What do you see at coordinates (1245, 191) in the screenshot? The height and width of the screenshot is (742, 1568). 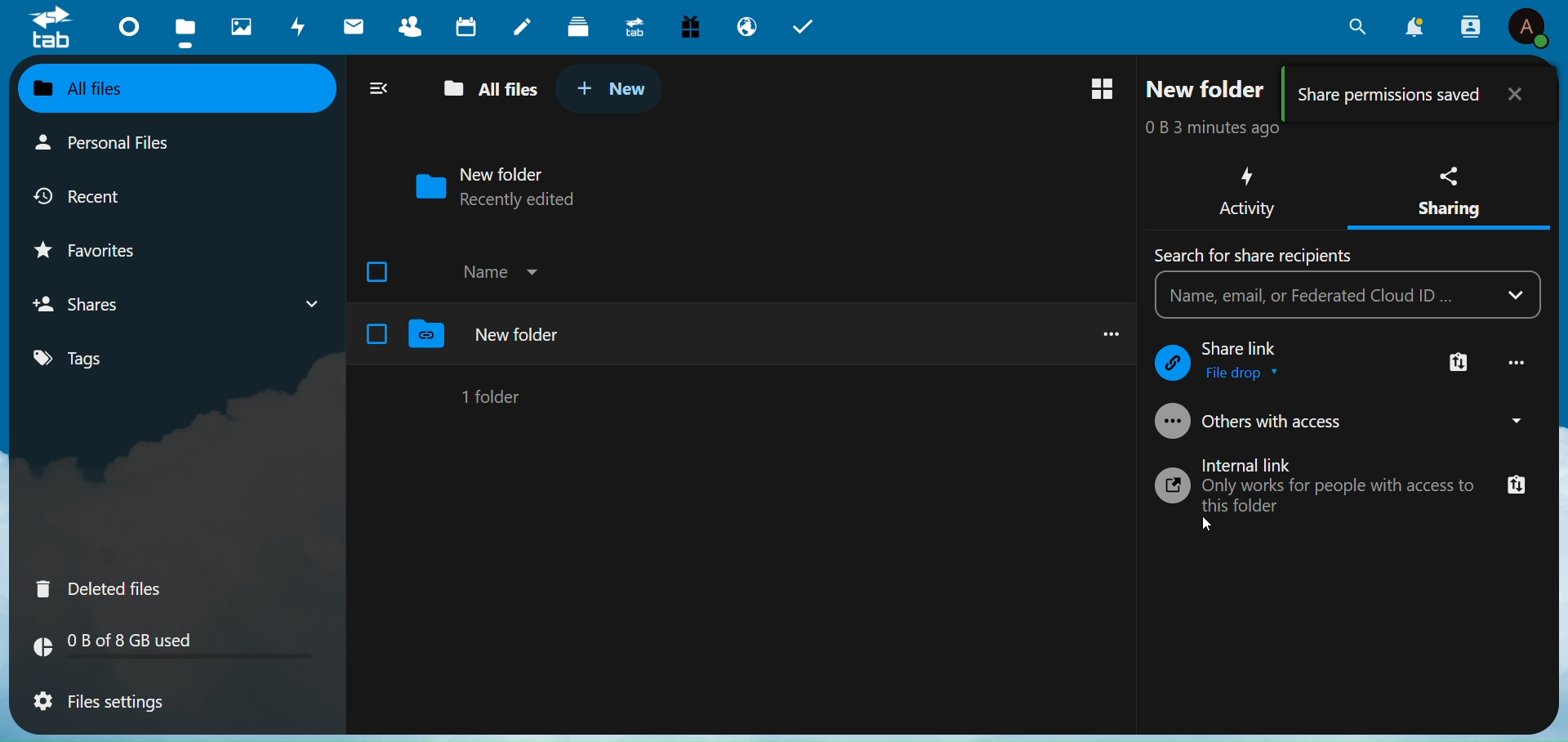 I see `Activity` at bounding box center [1245, 191].